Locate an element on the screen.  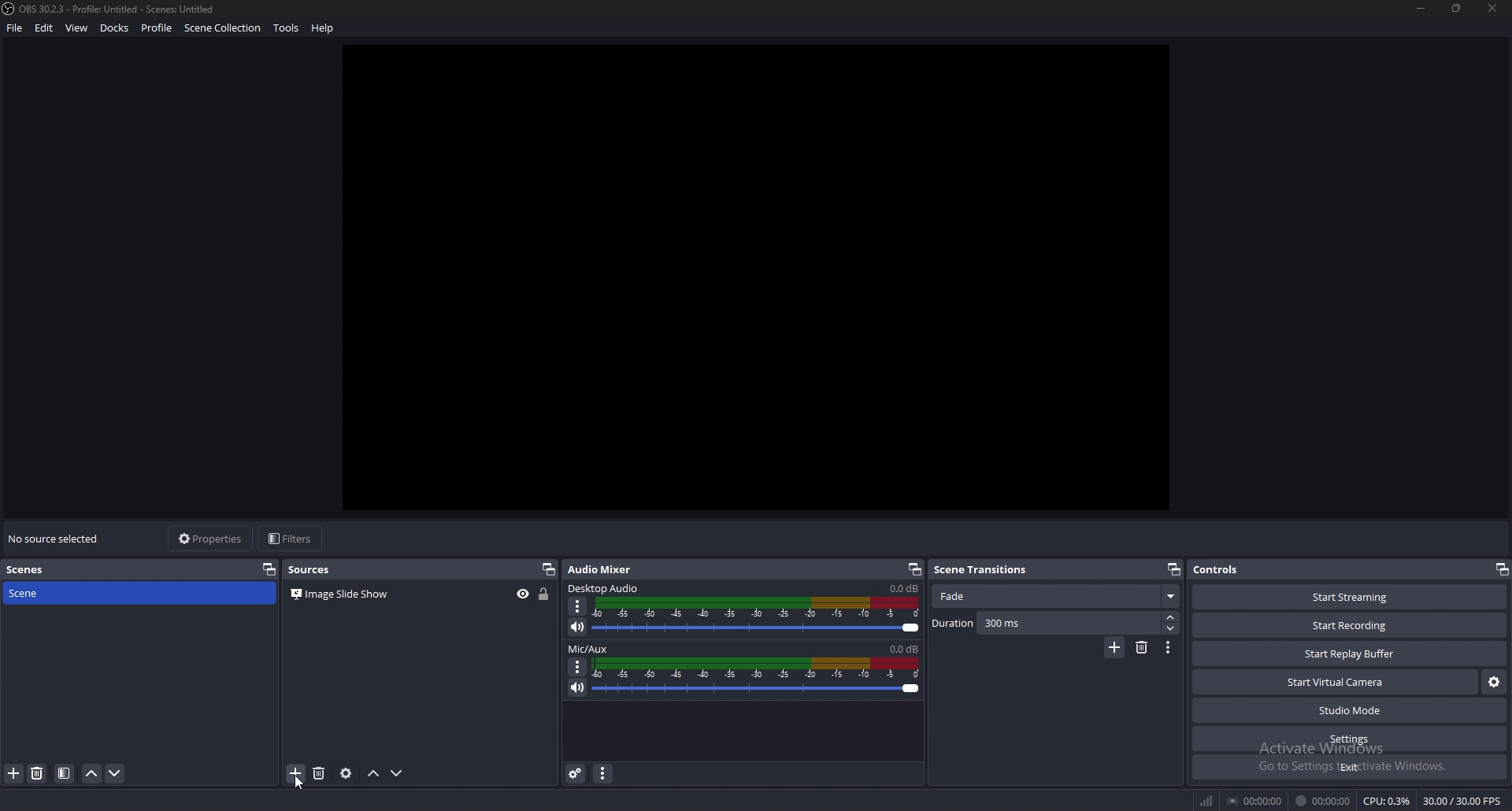
Cursor is located at coordinates (302, 783).